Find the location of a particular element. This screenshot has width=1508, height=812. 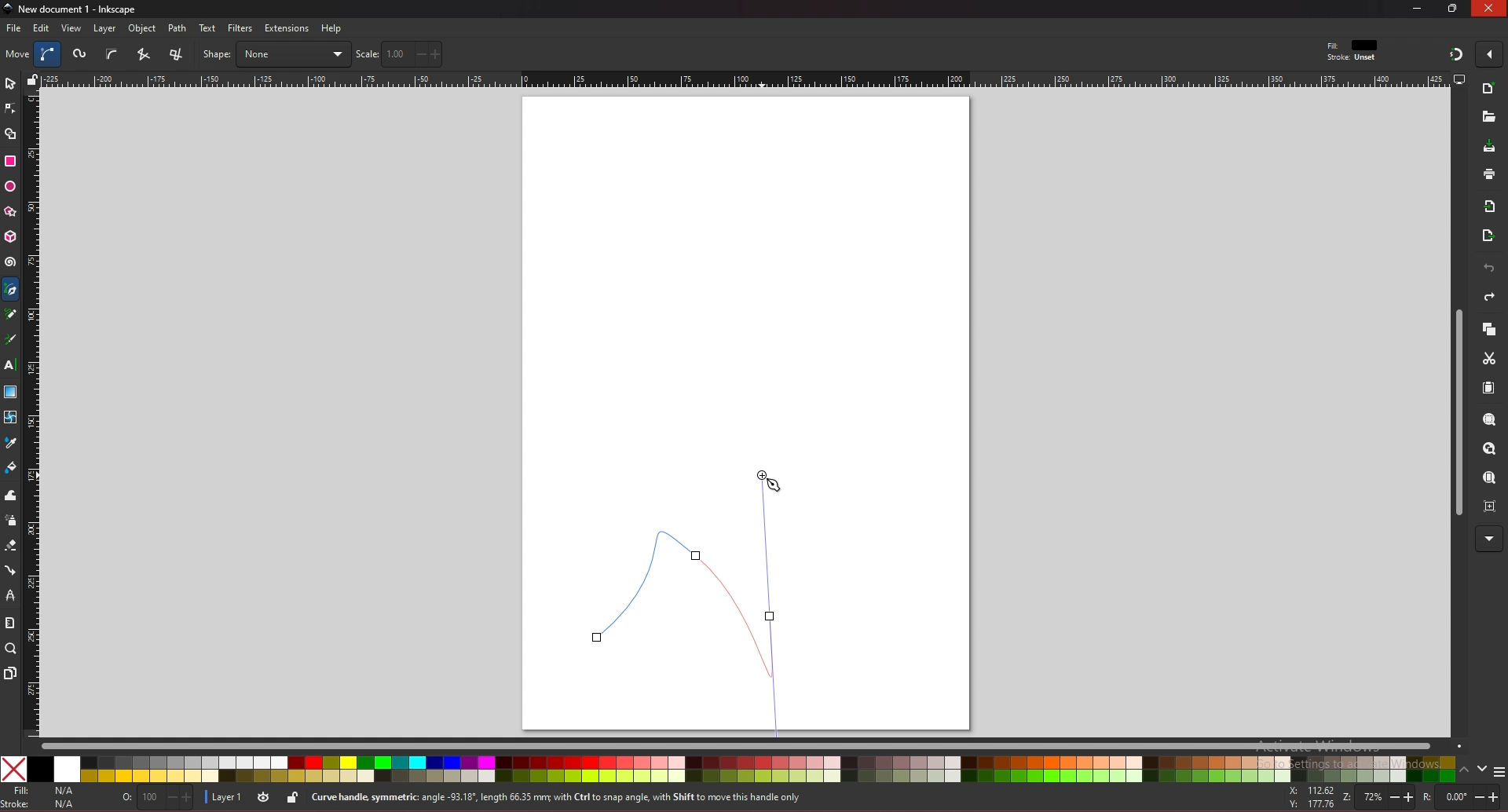

save is located at coordinates (1490, 148).